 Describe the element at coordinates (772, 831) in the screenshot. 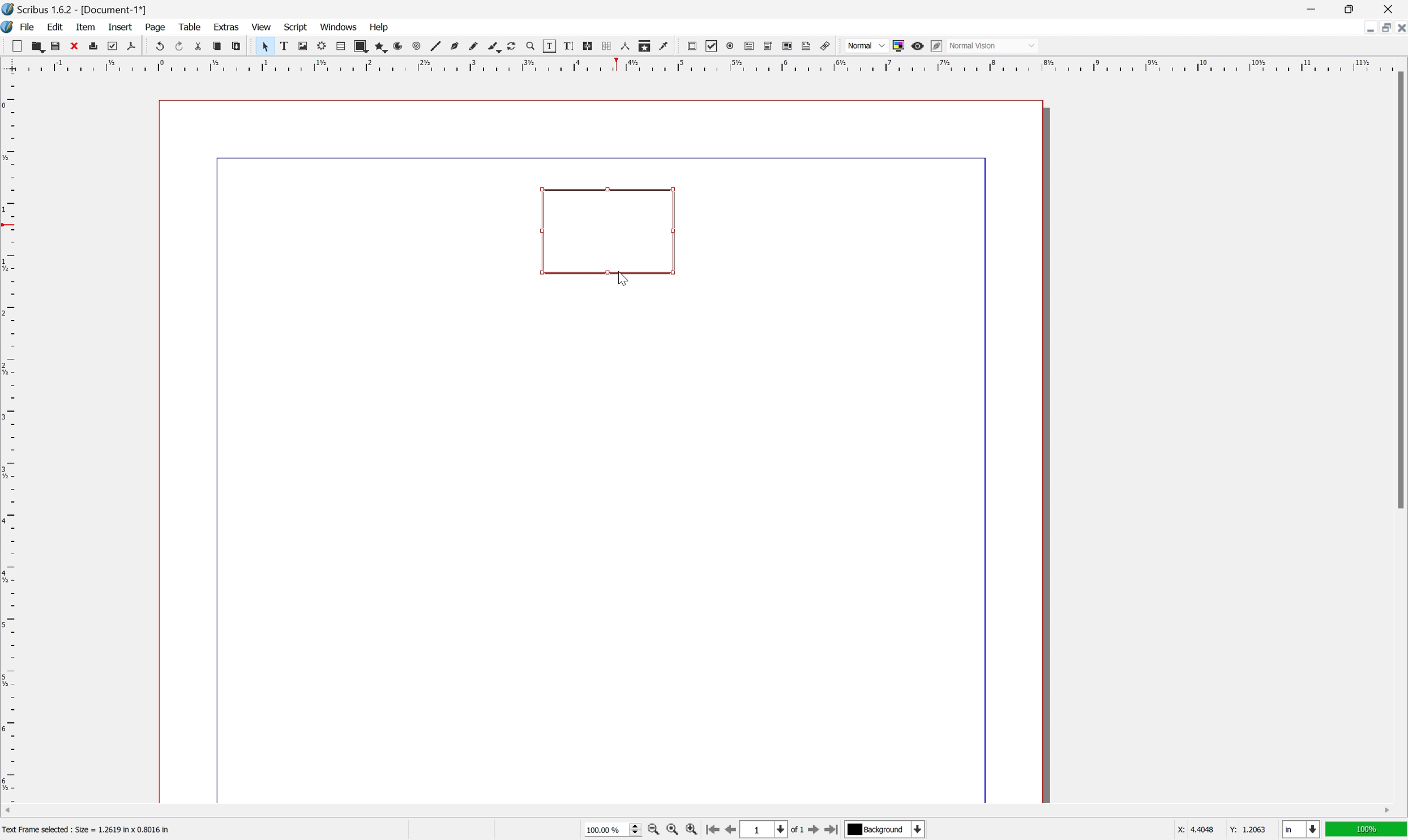

I see `select current page` at that location.